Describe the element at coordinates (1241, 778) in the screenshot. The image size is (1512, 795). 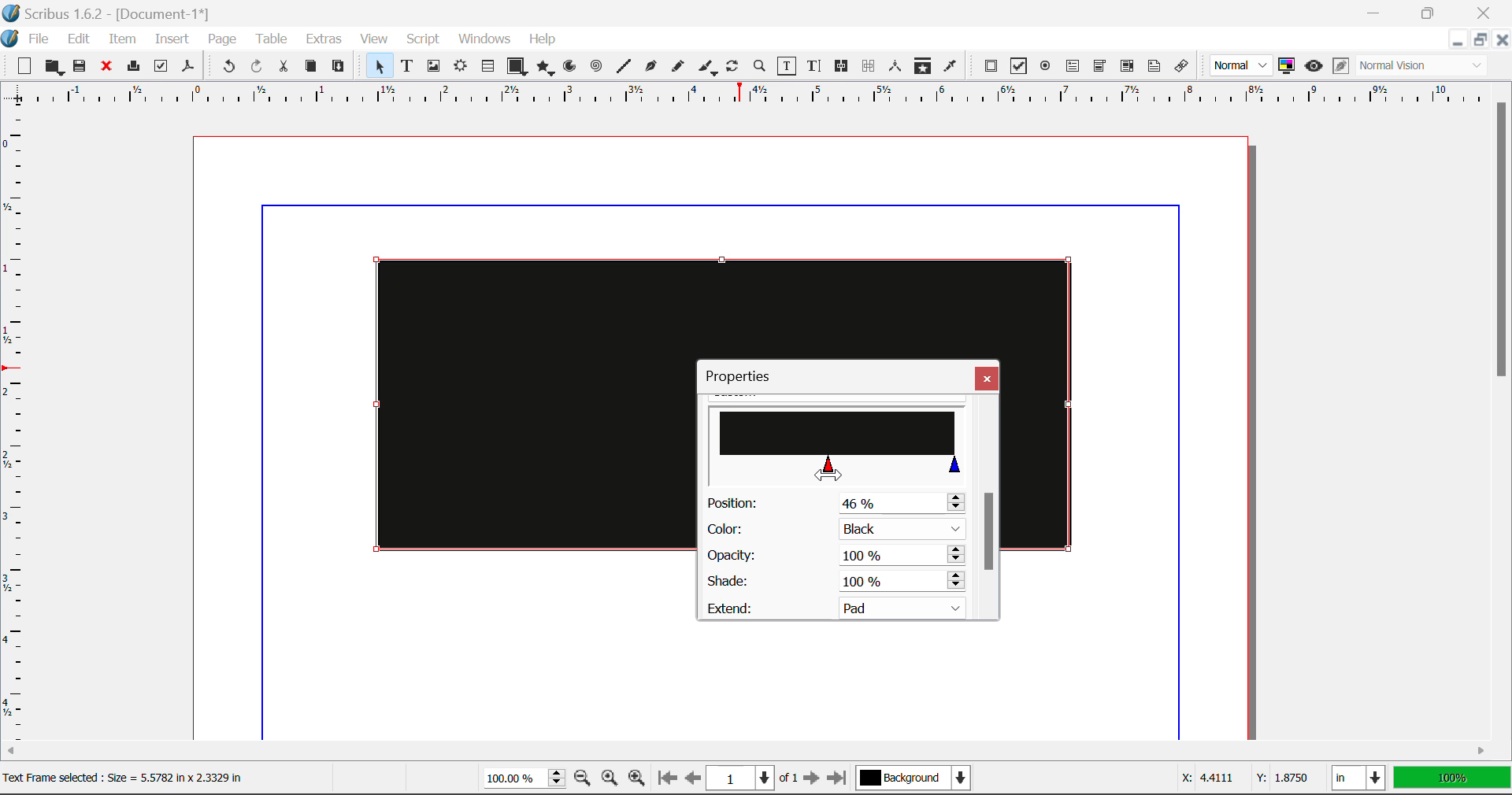
I see `Cursor Coordinates` at that location.